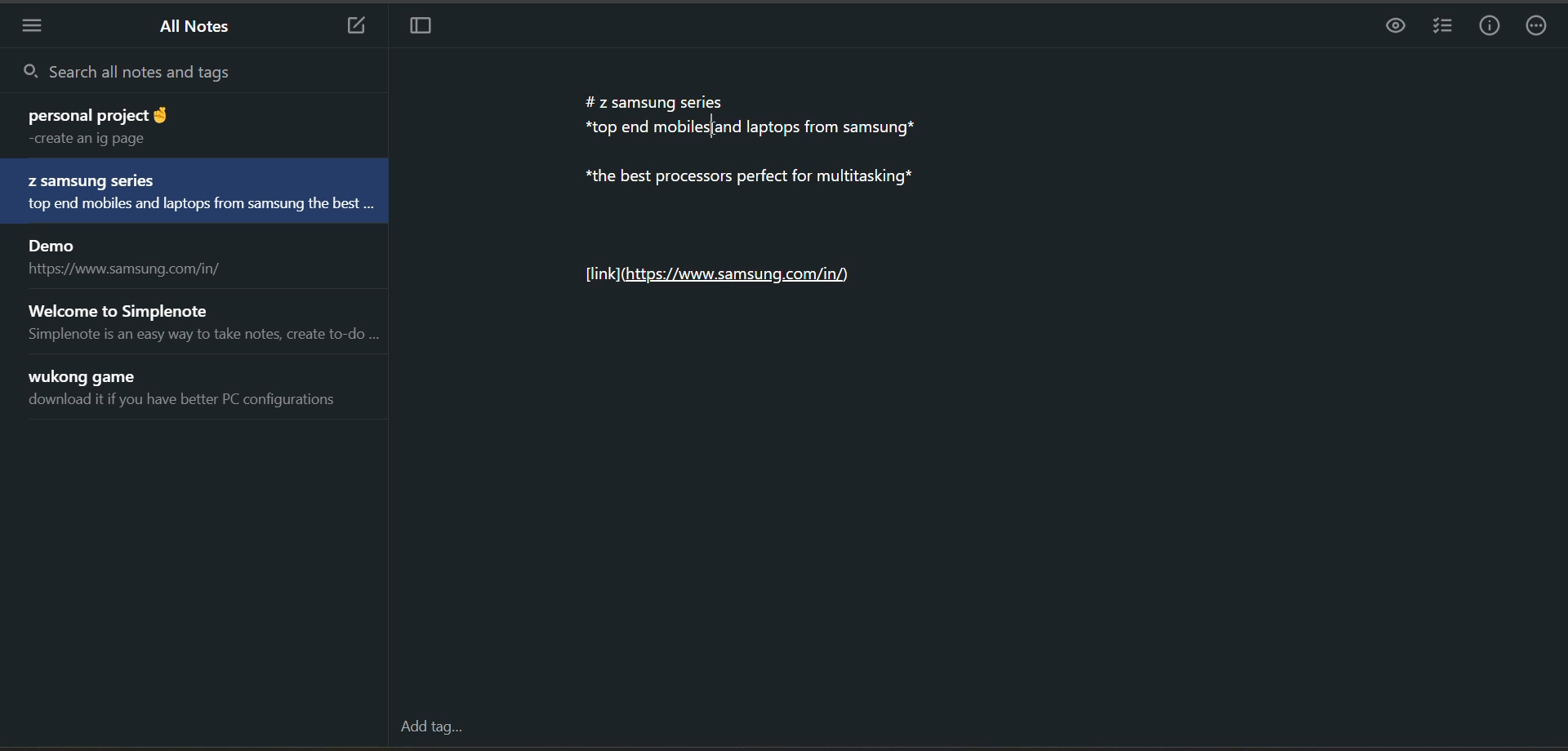 This screenshot has height=751, width=1568. Describe the element at coordinates (355, 26) in the screenshot. I see `new note` at that location.